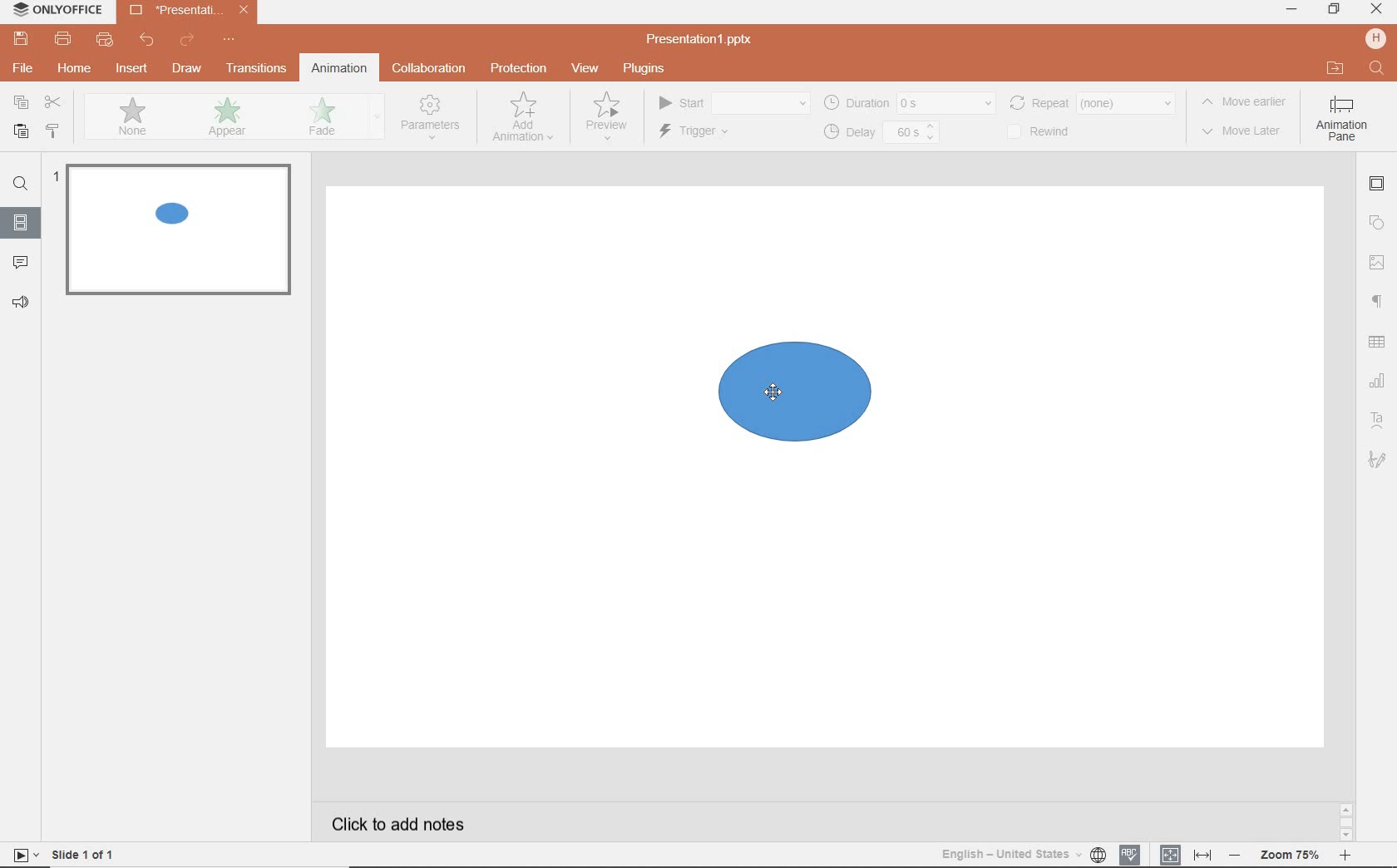  What do you see at coordinates (1246, 132) in the screenshot?
I see `move later` at bounding box center [1246, 132].